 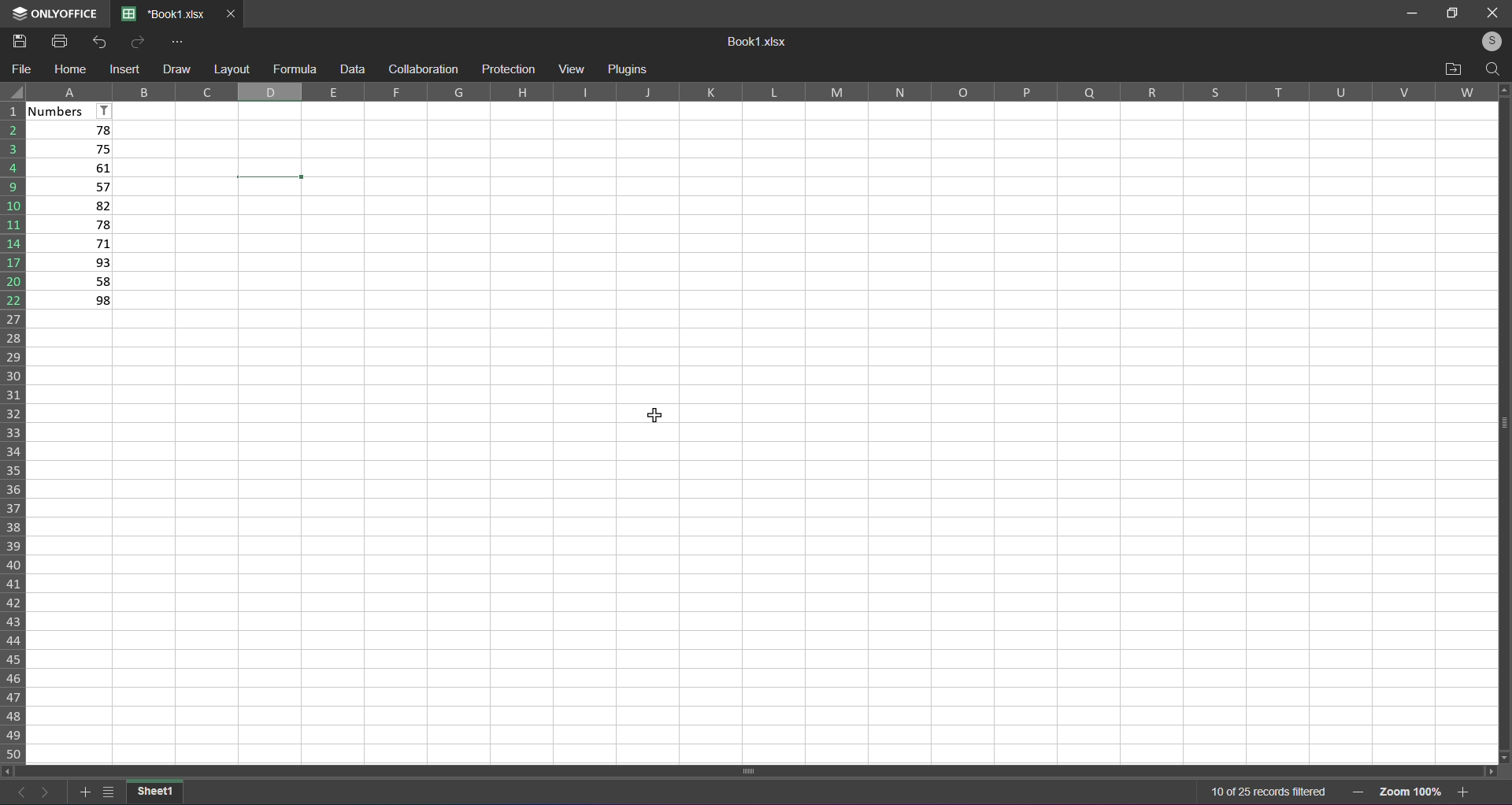 What do you see at coordinates (164, 15) in the screenshot?
I see `*Book1.xlsx` at bounding box center [164, 15].